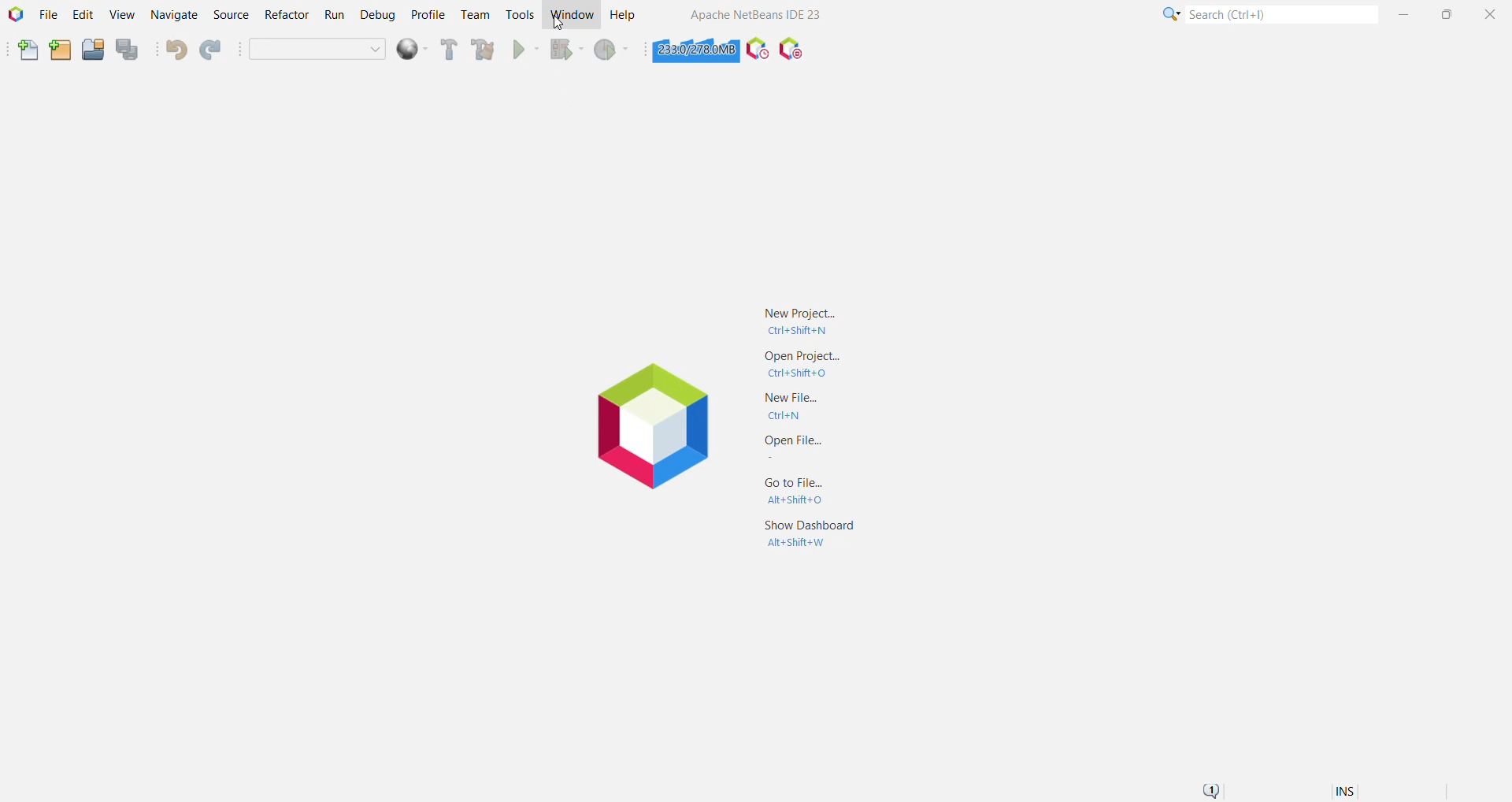 This screenshot has height=802, width=1512. What do you see at coordinates (814, 318) in the screenshot?
I see `New Project` at bounding box center [814, 318].